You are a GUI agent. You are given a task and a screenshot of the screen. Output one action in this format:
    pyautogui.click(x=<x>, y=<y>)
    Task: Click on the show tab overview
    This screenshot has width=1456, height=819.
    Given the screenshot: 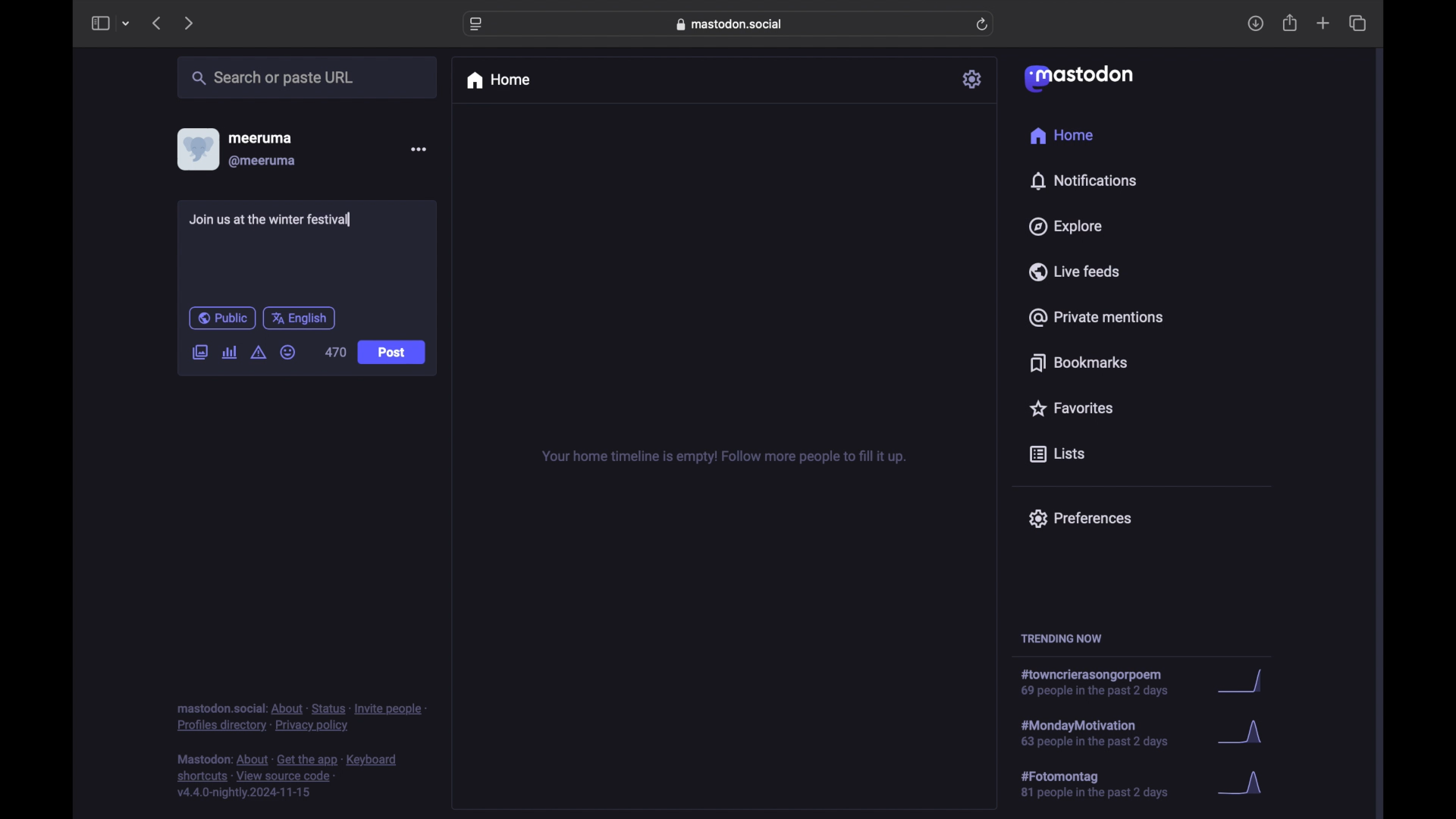 What is the action you would take?
    pyautogui.click(x=1357, y=24)
    